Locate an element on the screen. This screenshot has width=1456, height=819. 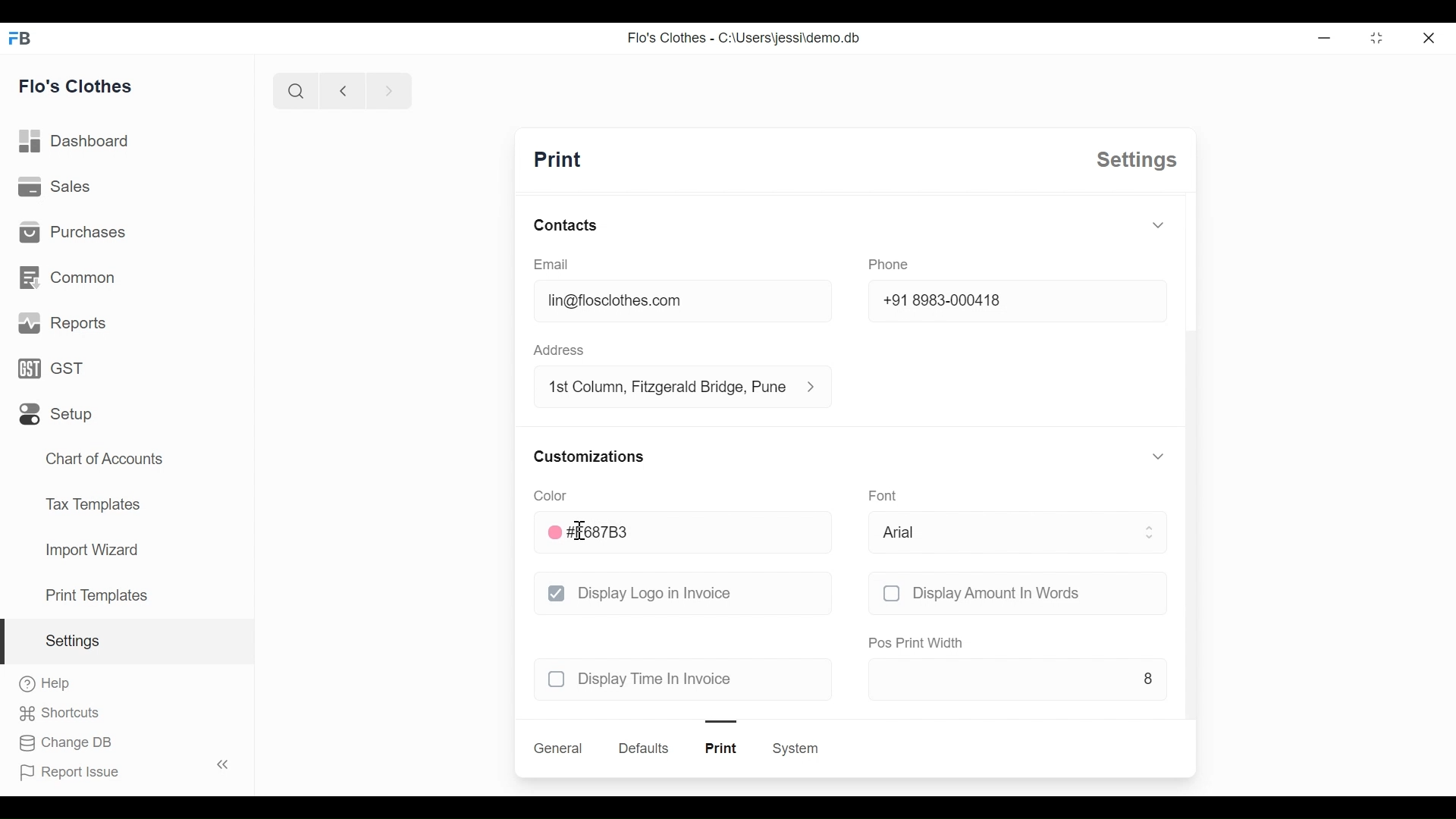
checkbox is located at coordinates (891, 593).